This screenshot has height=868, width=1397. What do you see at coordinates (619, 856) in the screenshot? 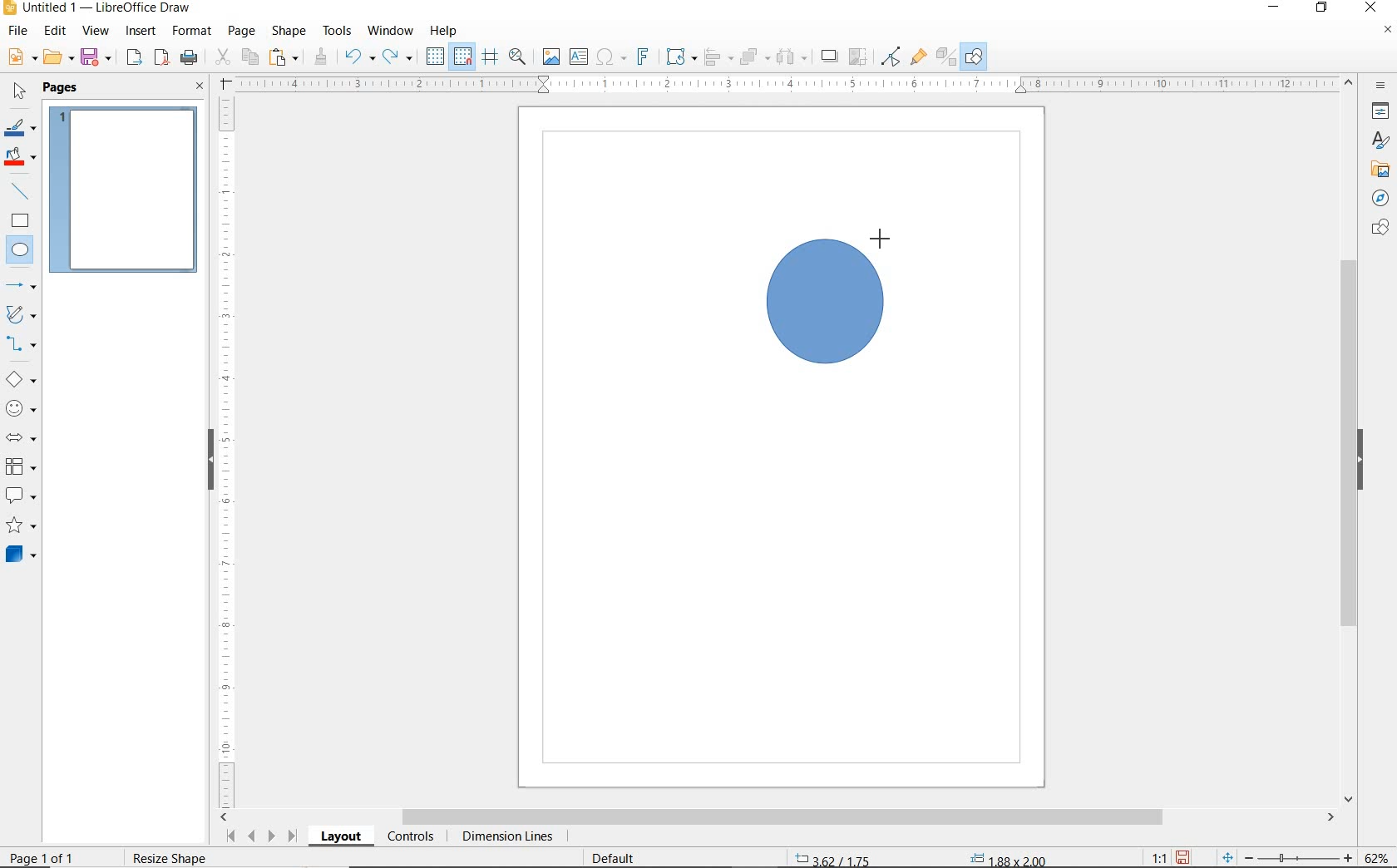
I see `DEFAULT` at bounding box center [619, 856].